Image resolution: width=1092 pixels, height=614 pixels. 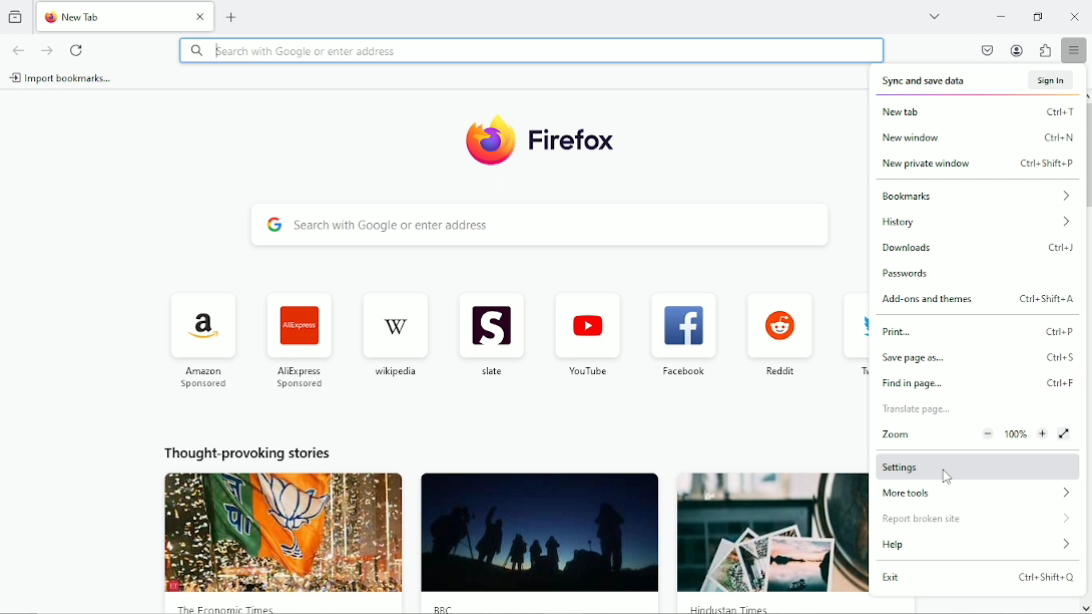 What do you see at coordinates (980, 138) in the screenshot?
I see `new window` at bounding box center [980, 138].